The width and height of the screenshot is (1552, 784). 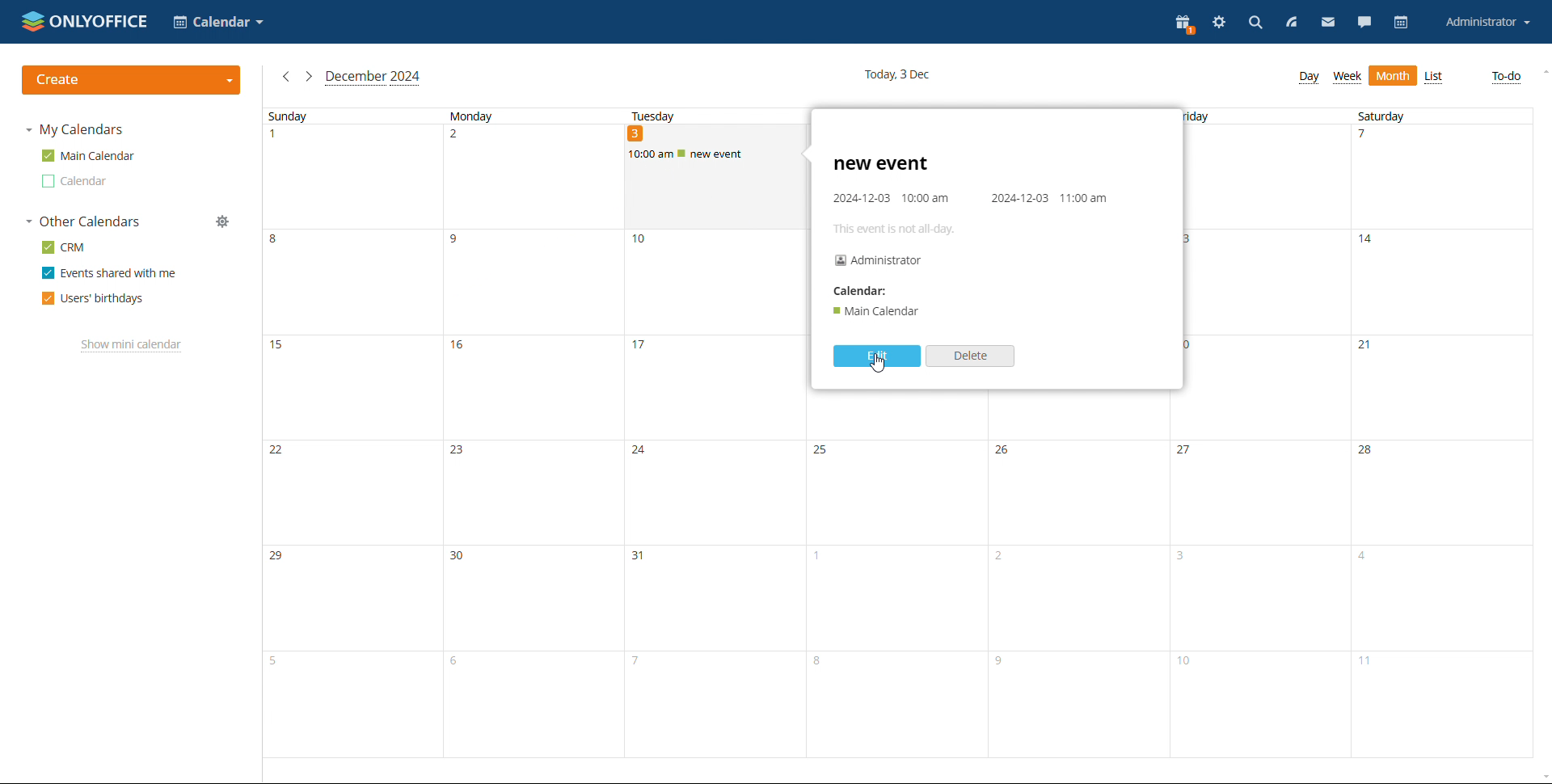 I want to click on 9, so click(x=1079, y=704).